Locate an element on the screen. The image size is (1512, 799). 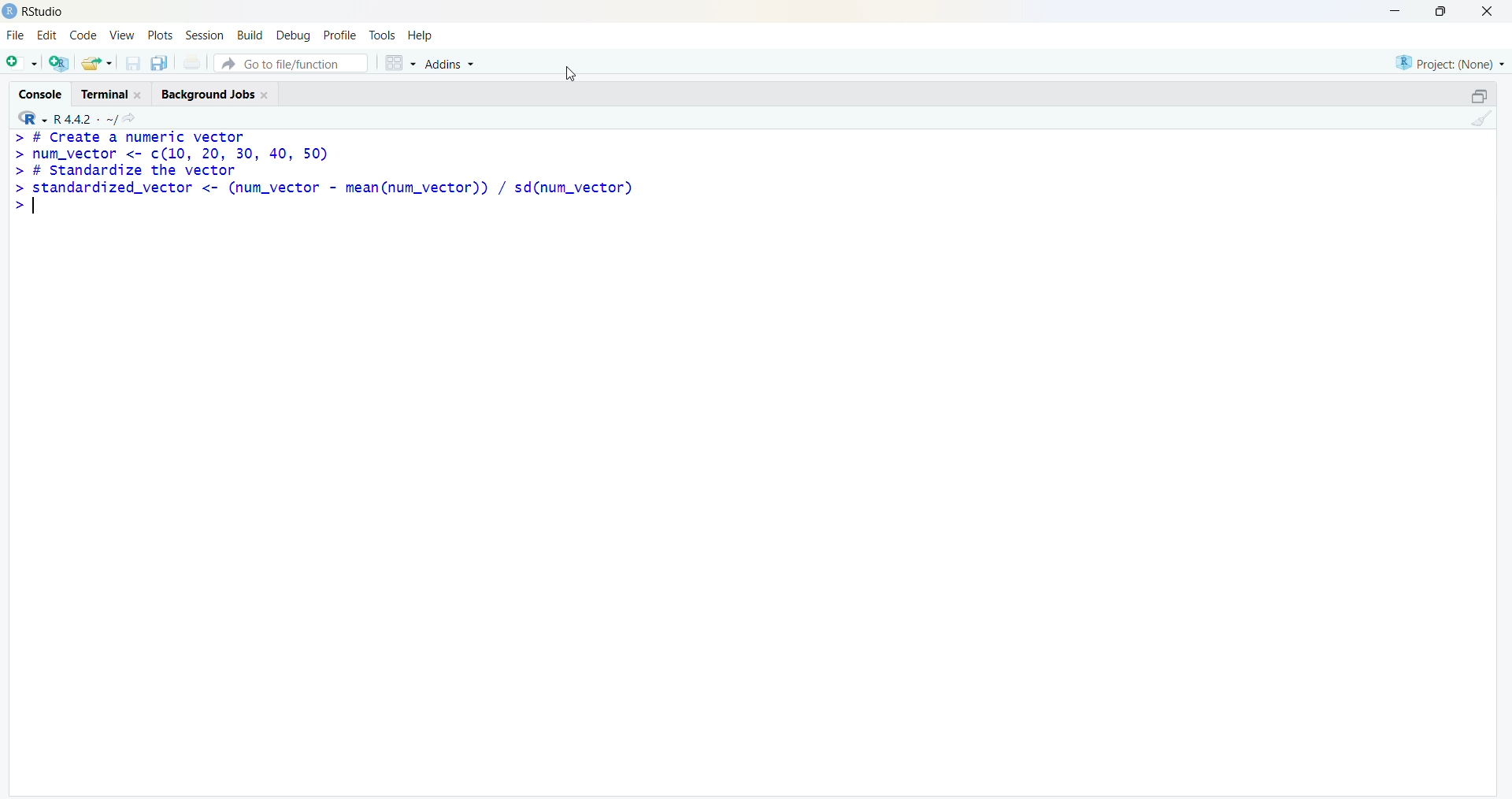
R 4.4.2 ~/ is located at coordinates (84, 119).